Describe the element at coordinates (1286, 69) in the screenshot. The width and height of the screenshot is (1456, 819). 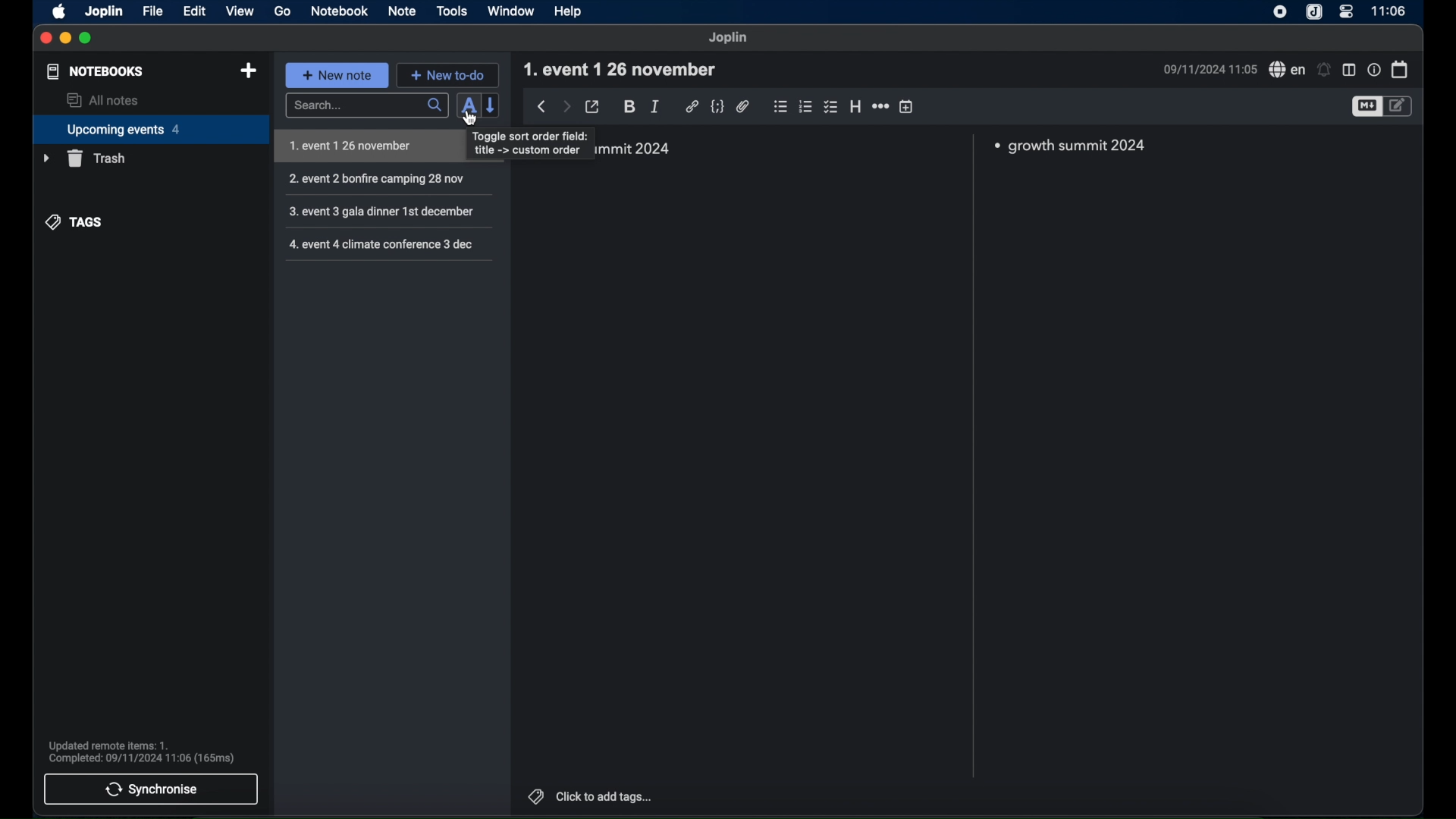
I see `spell check` at that location.